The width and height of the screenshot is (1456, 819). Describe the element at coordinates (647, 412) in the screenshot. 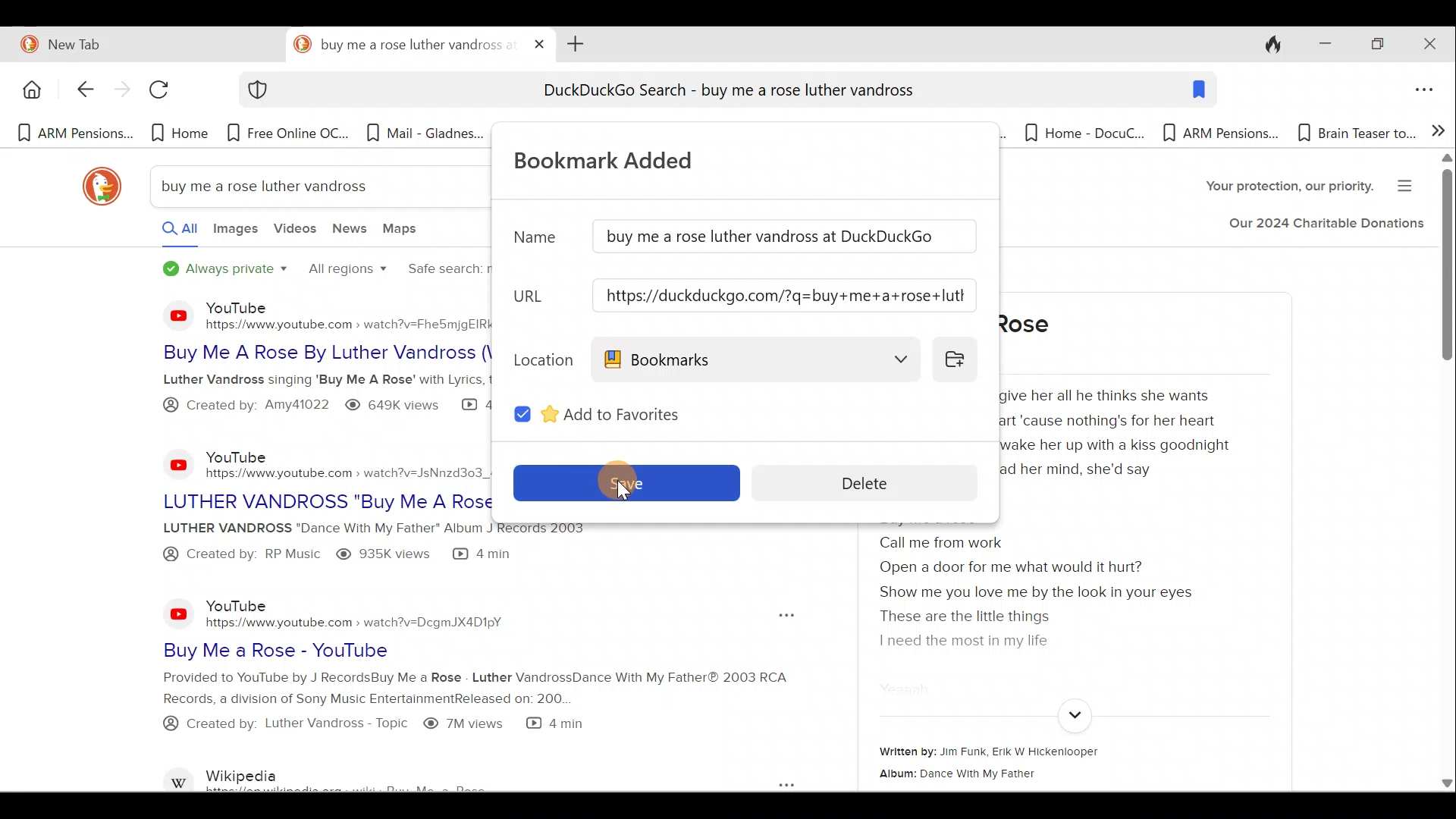

I see `Add to favorites` at that location.